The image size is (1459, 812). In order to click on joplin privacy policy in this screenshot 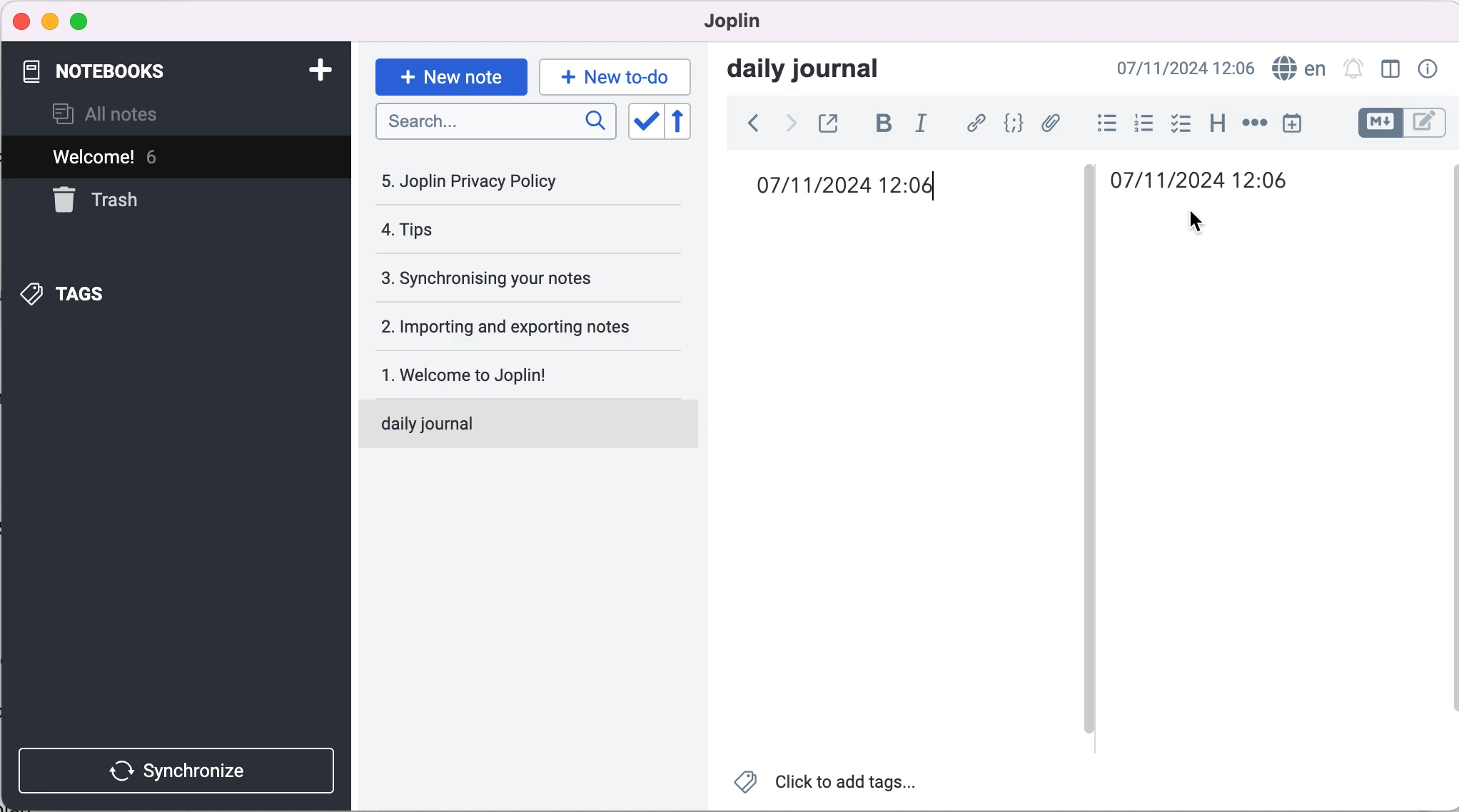, I will do `click(479, 181)`.